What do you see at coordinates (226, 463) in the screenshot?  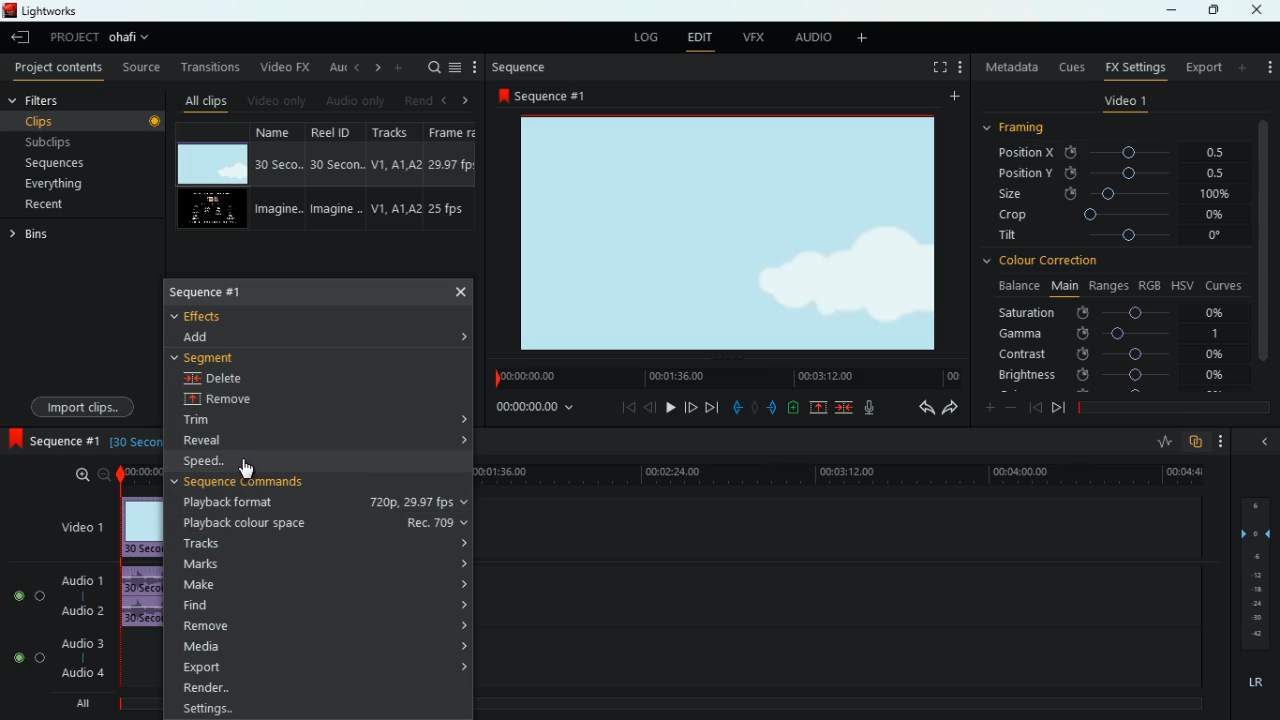 I see `speed` at bounding box center [226, 463].